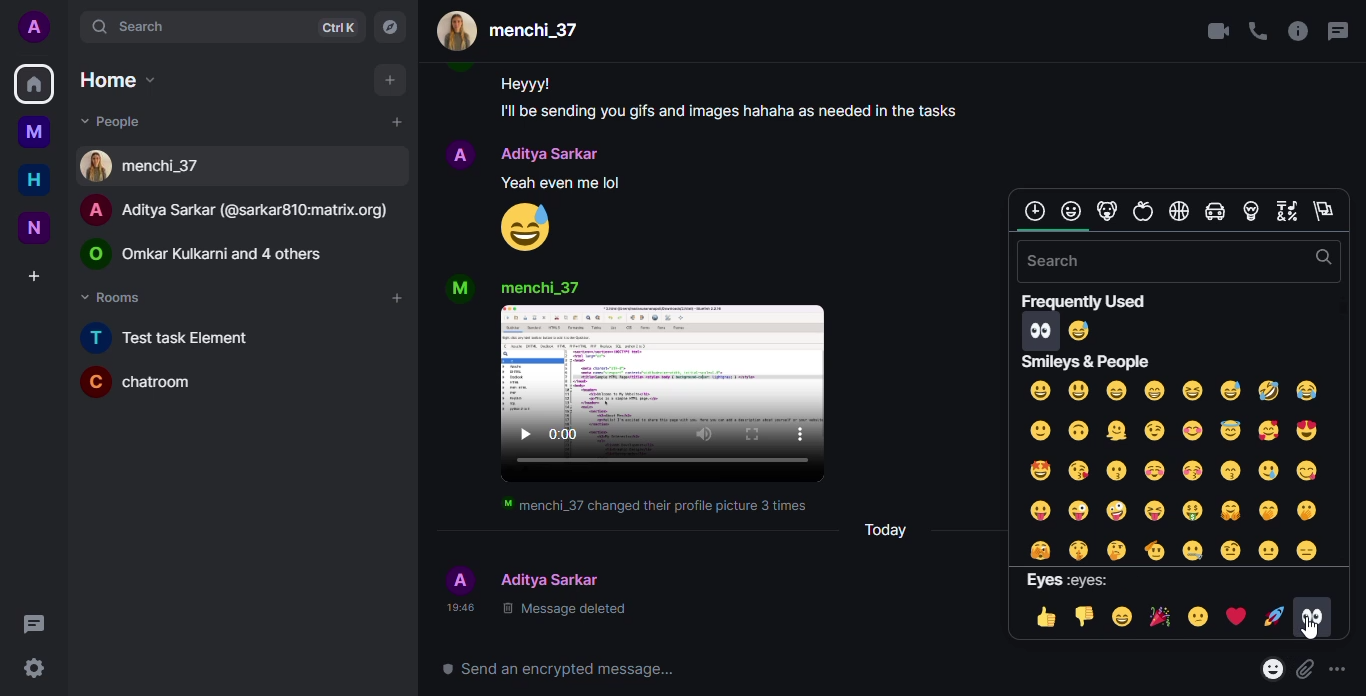  What do you see at coordinates (121, 26) in the screenshot?
I see `search` at bounding box center [121, 26].